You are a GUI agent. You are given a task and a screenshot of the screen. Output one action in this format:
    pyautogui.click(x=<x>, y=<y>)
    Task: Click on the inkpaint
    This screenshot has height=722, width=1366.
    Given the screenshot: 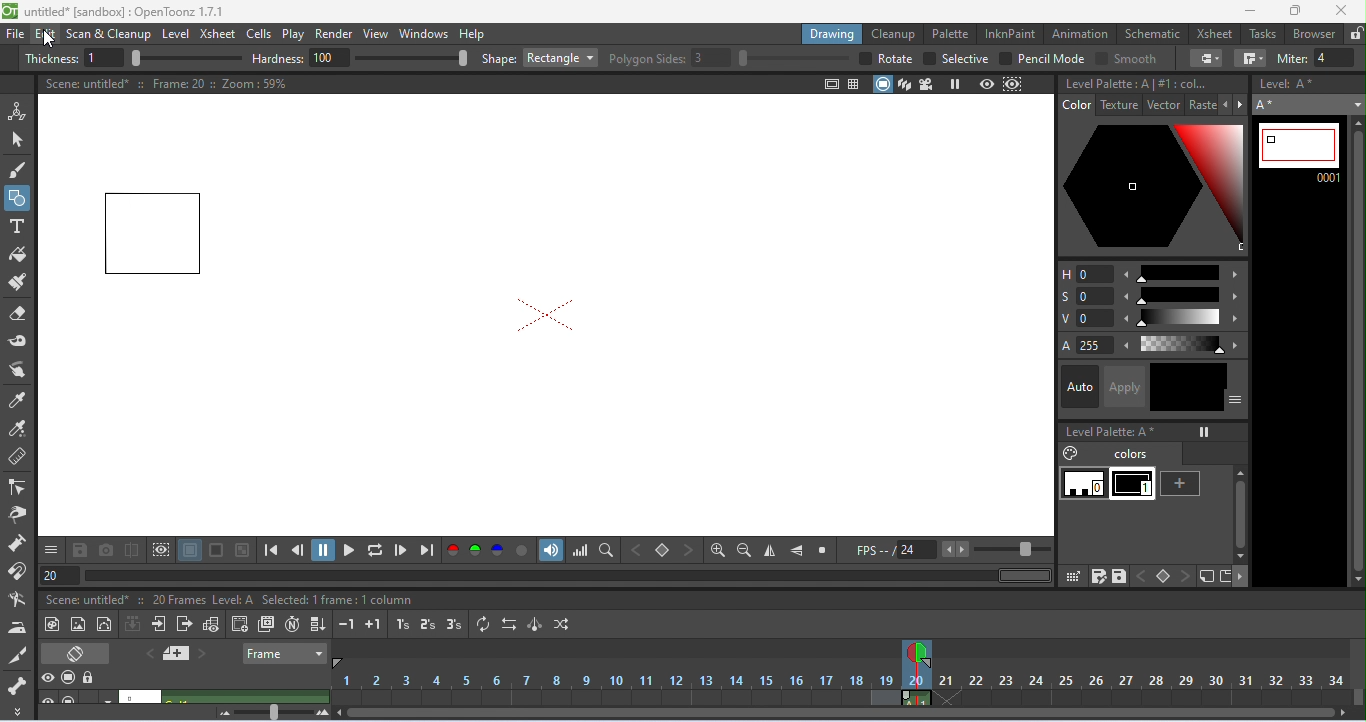 What is the action you would take?
    pyautogui.click(x=1010, y=33)
    